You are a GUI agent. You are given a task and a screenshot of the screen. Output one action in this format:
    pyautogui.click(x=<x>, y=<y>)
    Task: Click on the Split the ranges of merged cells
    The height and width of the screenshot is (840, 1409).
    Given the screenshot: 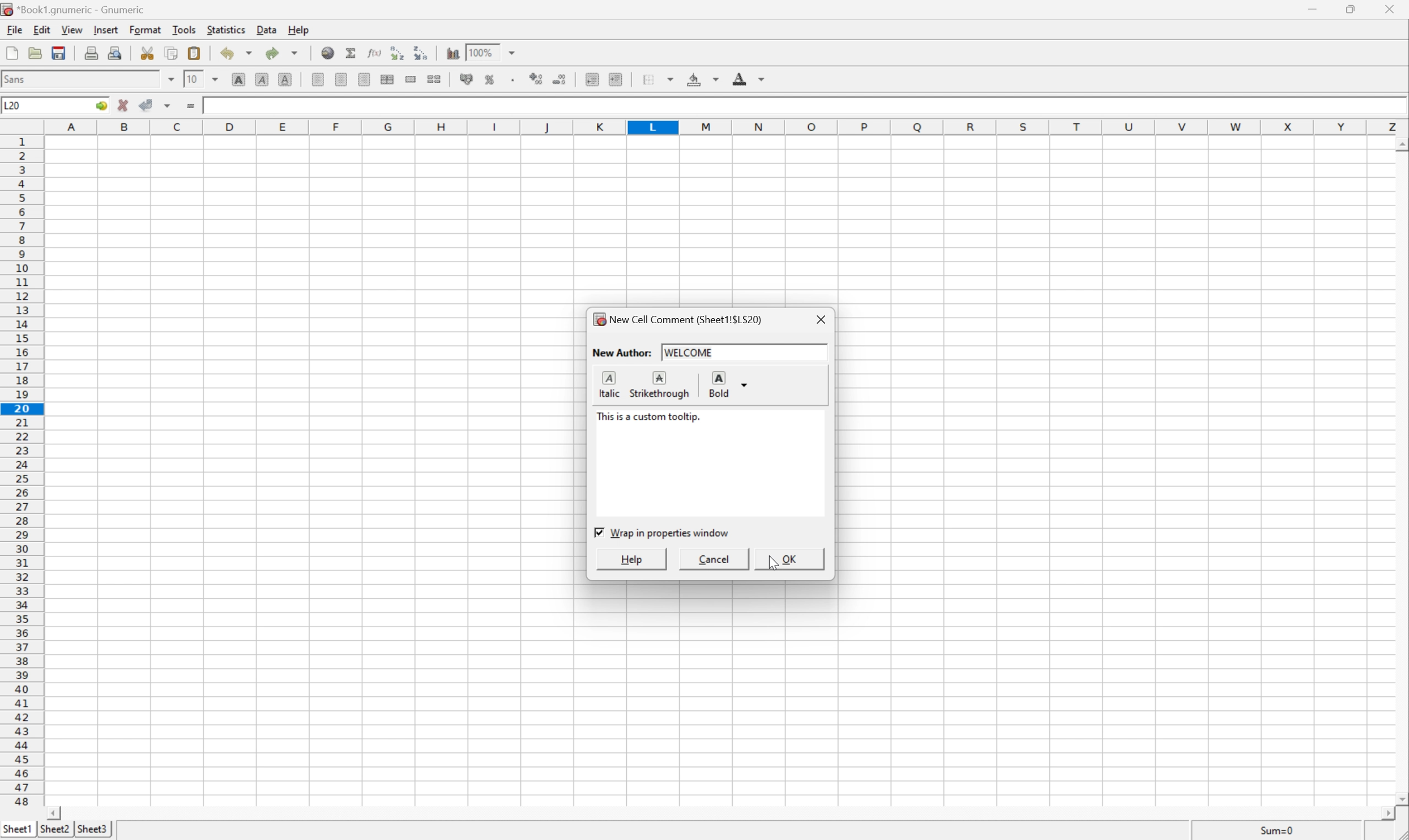 What is the action you would take?
    pyautogui.click(x=435, y=78)
    